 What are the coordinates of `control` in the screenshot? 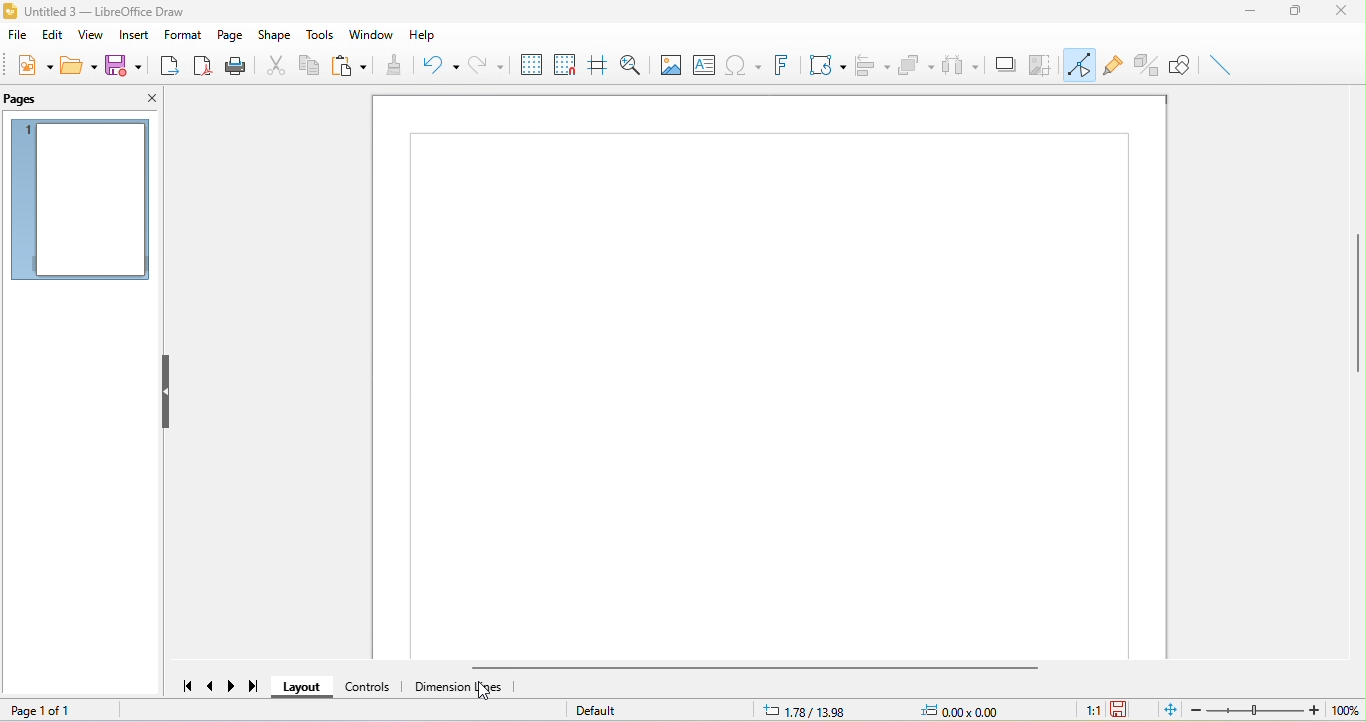 It's located at (369, 687).